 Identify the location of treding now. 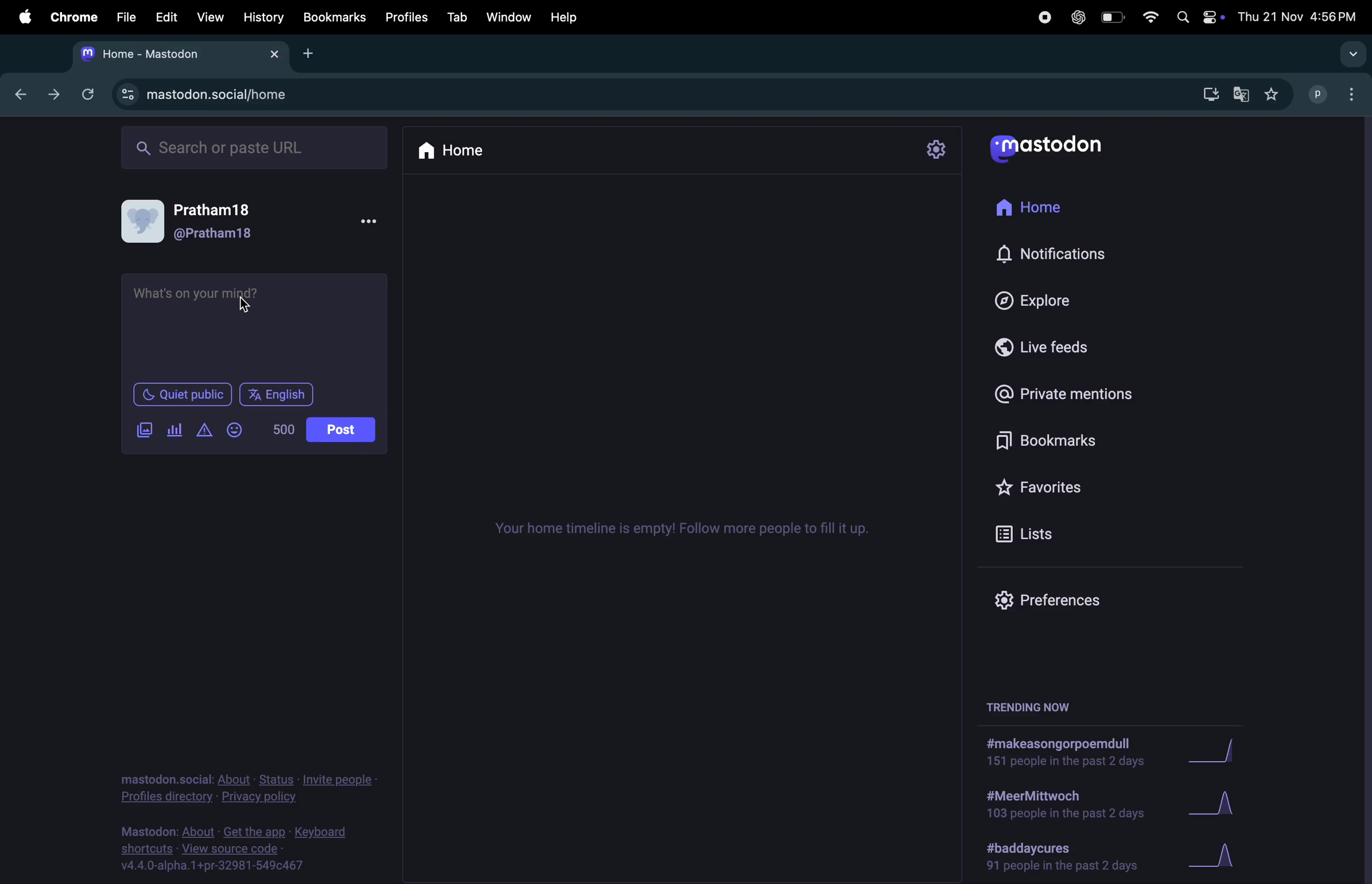
(1030, 707).